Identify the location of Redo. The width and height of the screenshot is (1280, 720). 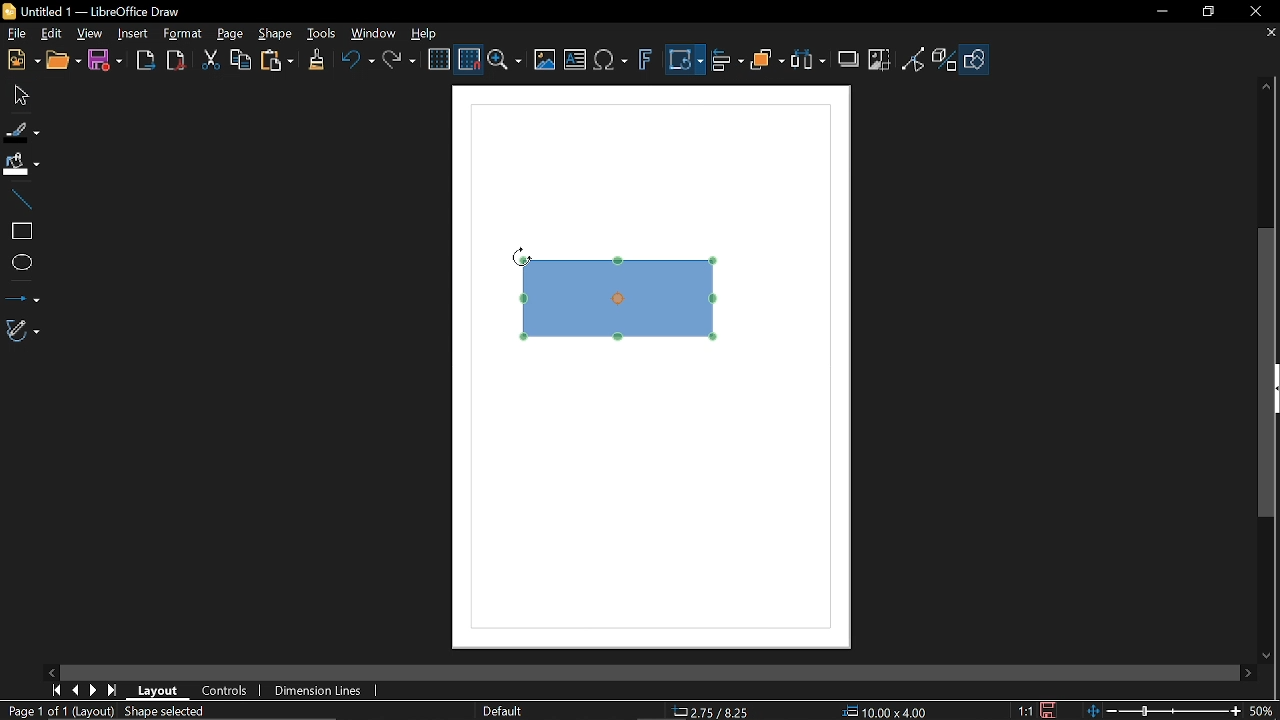
(398, 62).